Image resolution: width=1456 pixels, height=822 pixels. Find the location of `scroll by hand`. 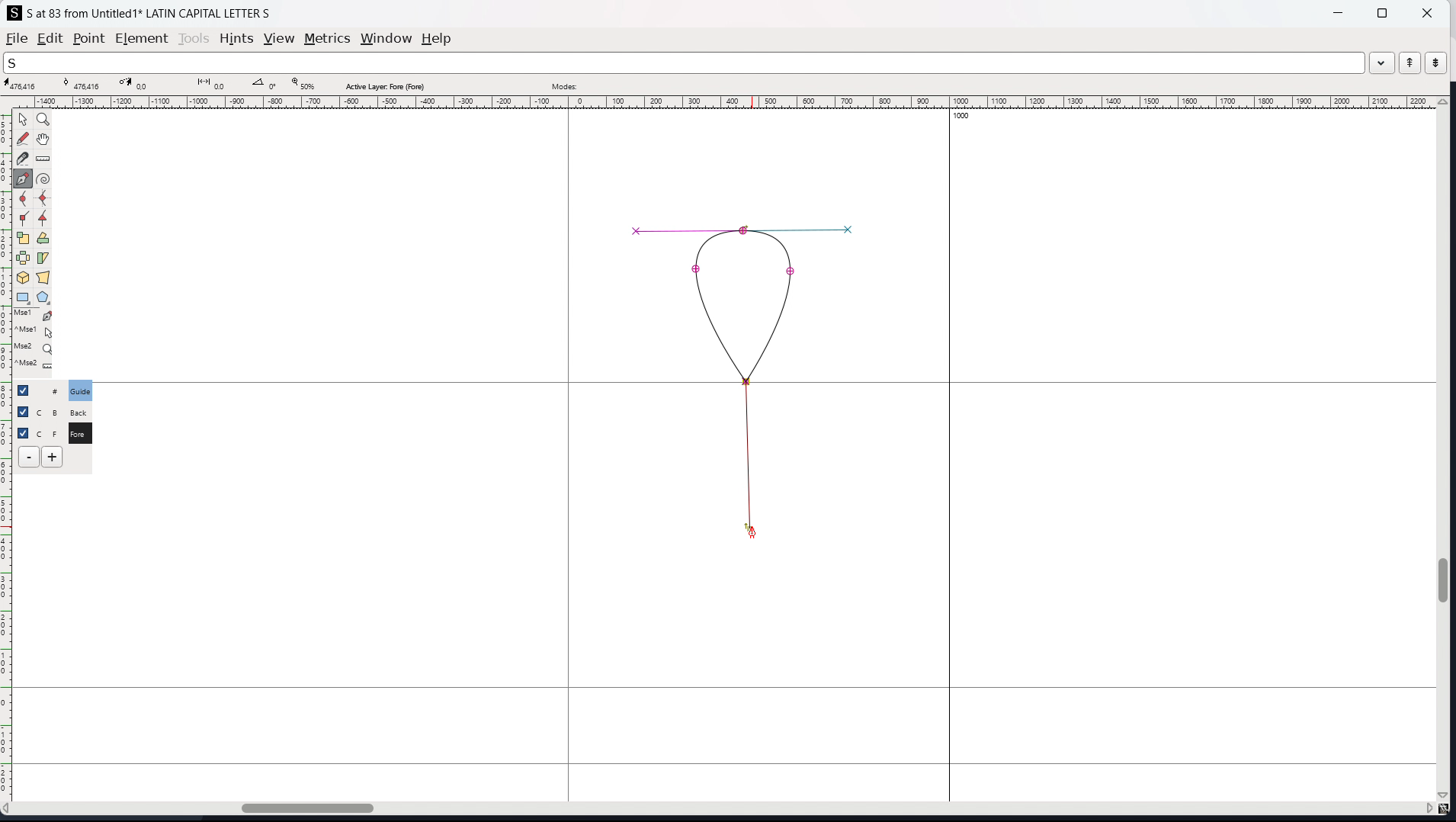

scroll by hand is located at coordinates (45, 140).